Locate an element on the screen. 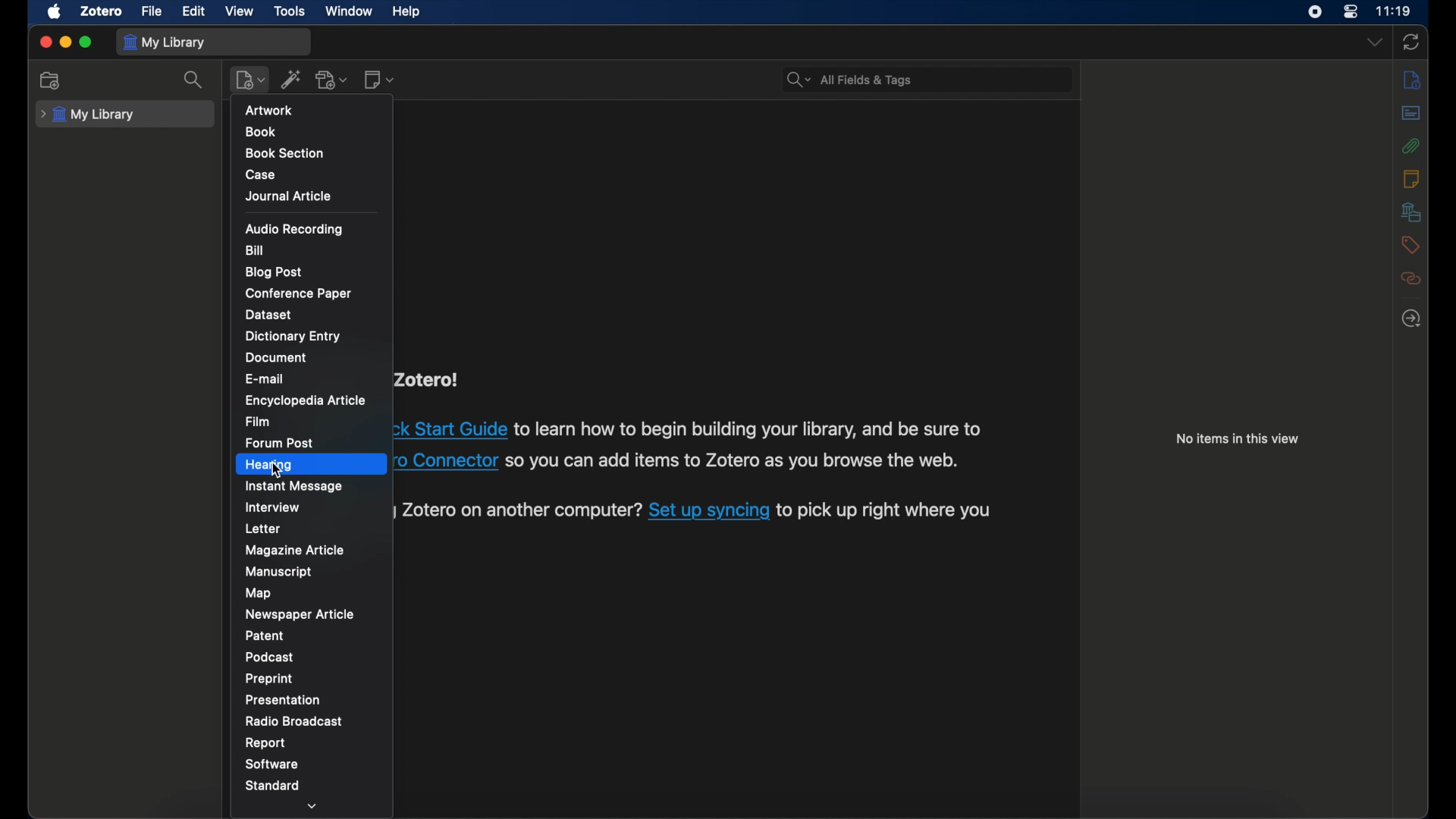 Image resolution: width=1456 pixels, height=819 pixels. window is located at coordinates (350, 11).